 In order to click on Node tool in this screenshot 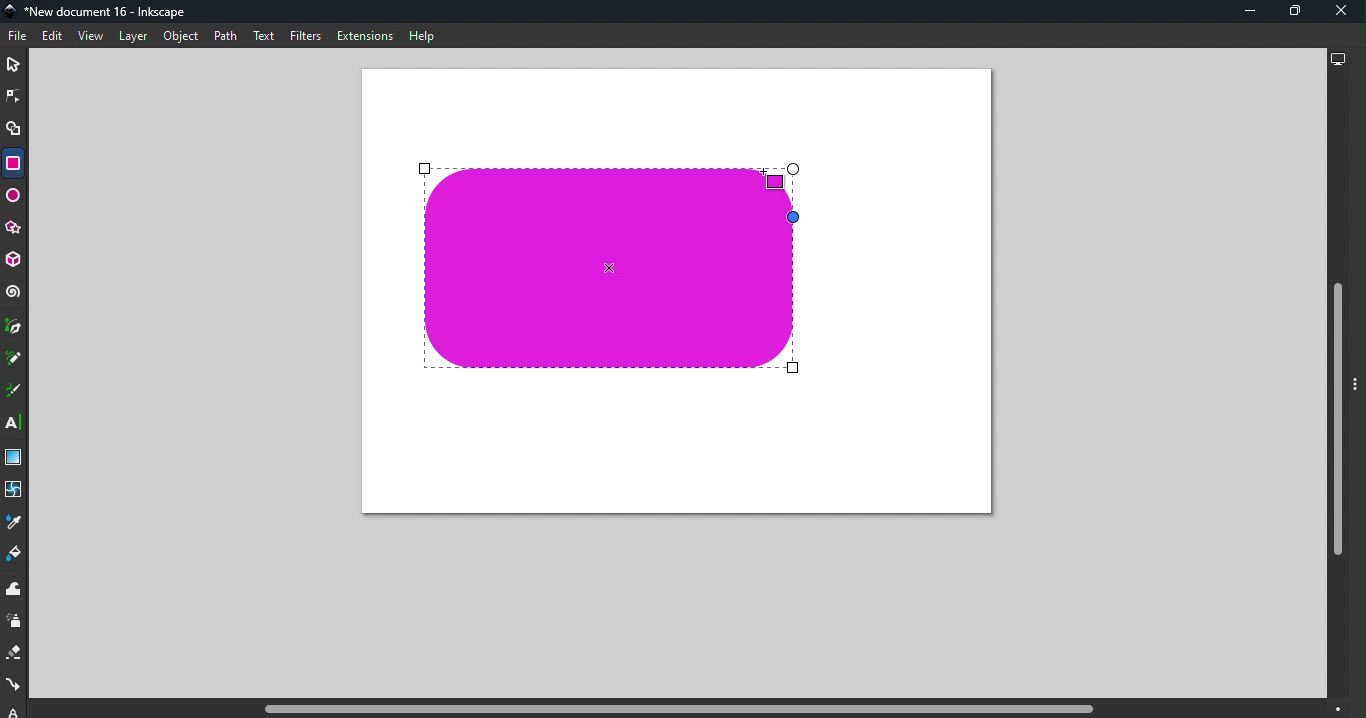, I will do `click(14, 95)`.